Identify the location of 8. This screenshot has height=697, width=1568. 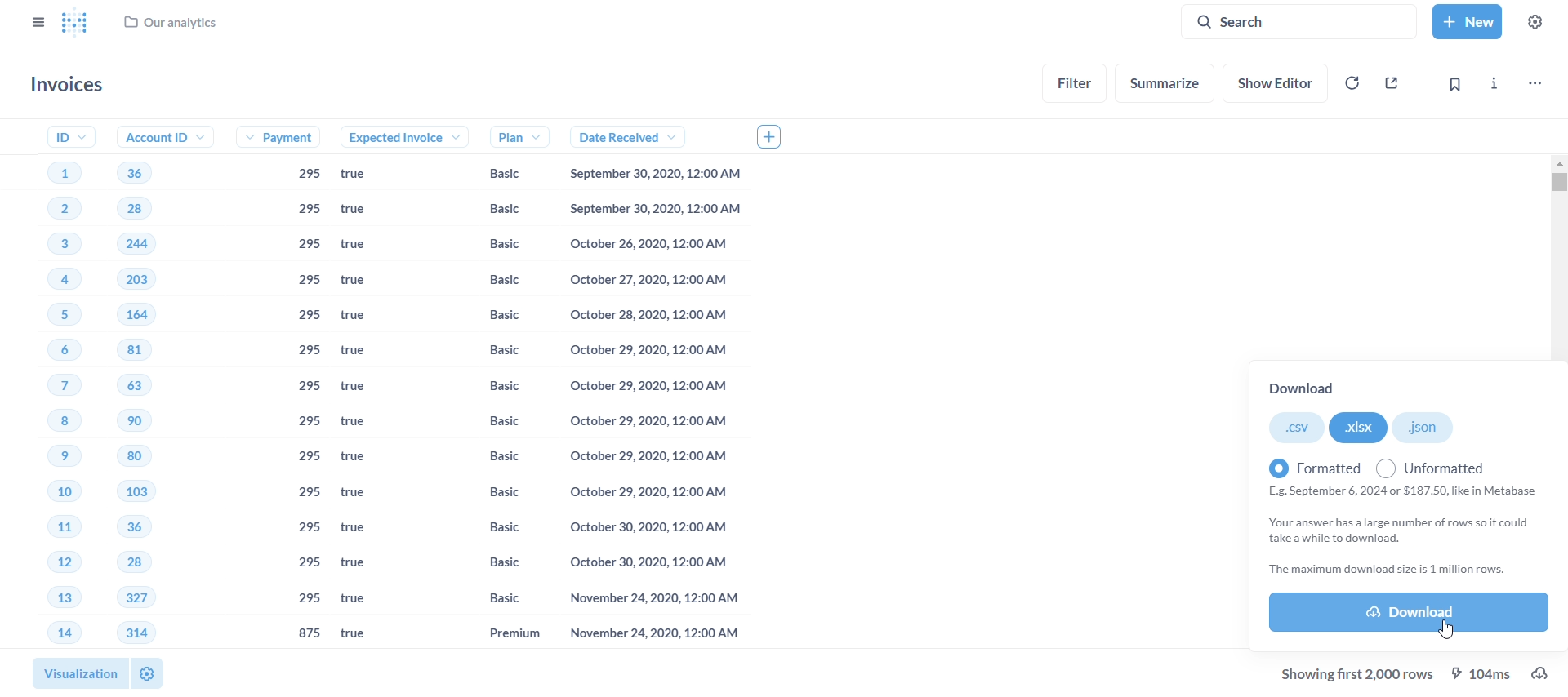
(42, 422).